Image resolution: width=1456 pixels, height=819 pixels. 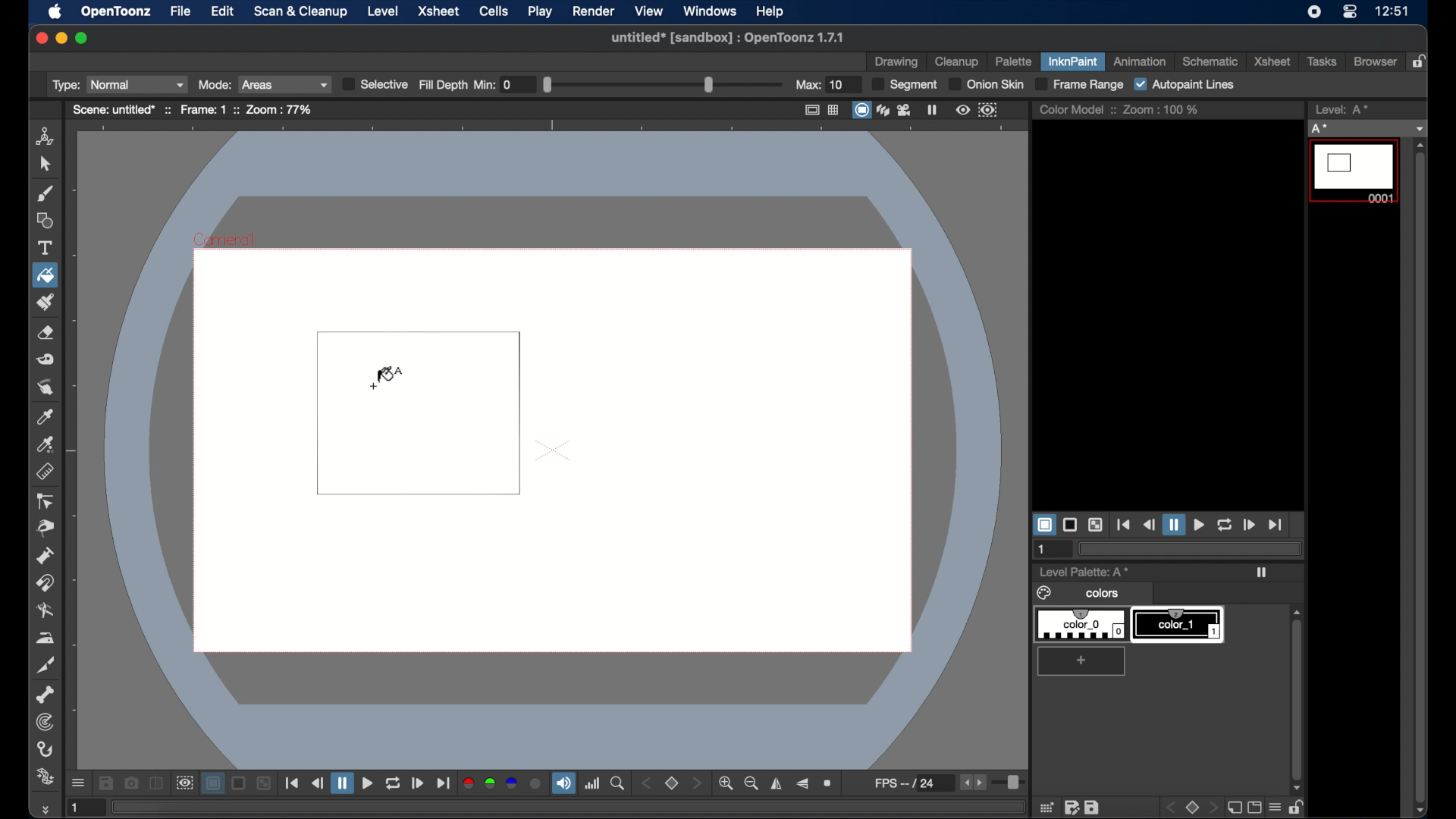 I want to click on untitled* [sandbox] : OpenToonz 1.7.1, so click(x=725, y=36).